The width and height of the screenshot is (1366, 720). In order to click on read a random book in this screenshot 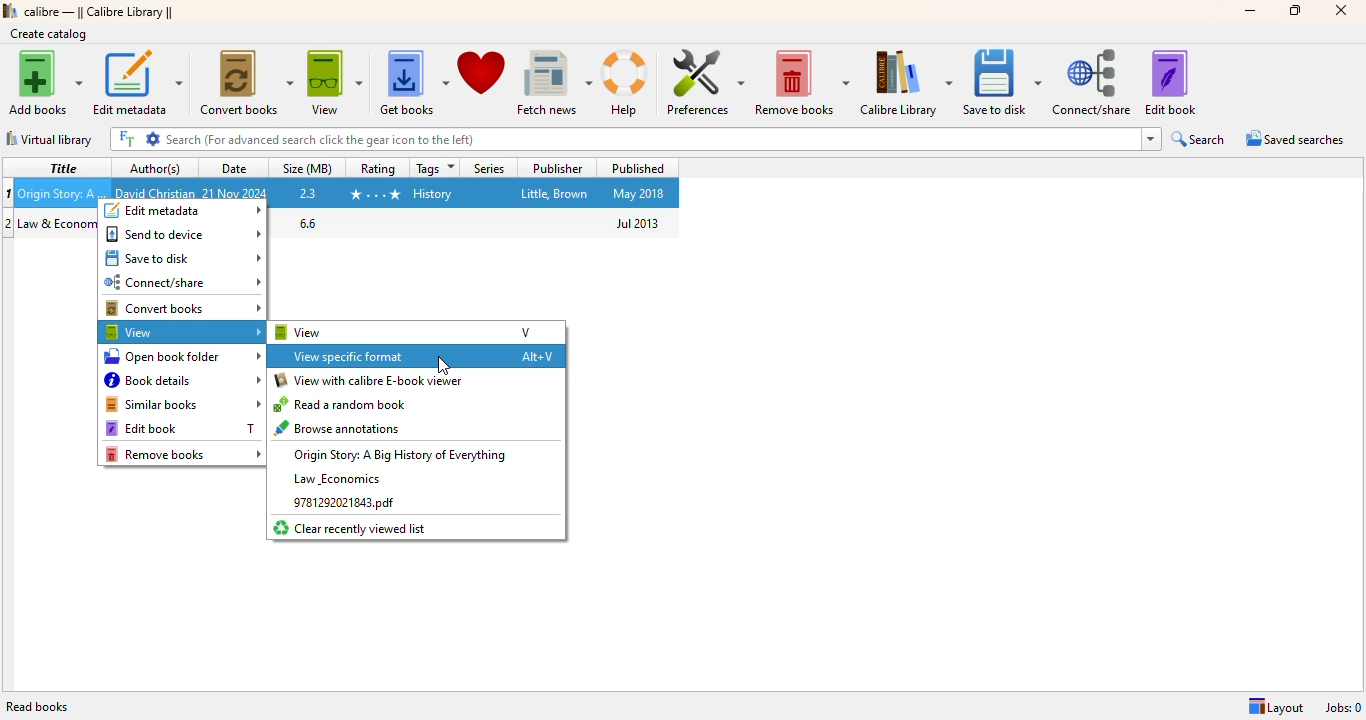, I will do `click(342, 404)`.